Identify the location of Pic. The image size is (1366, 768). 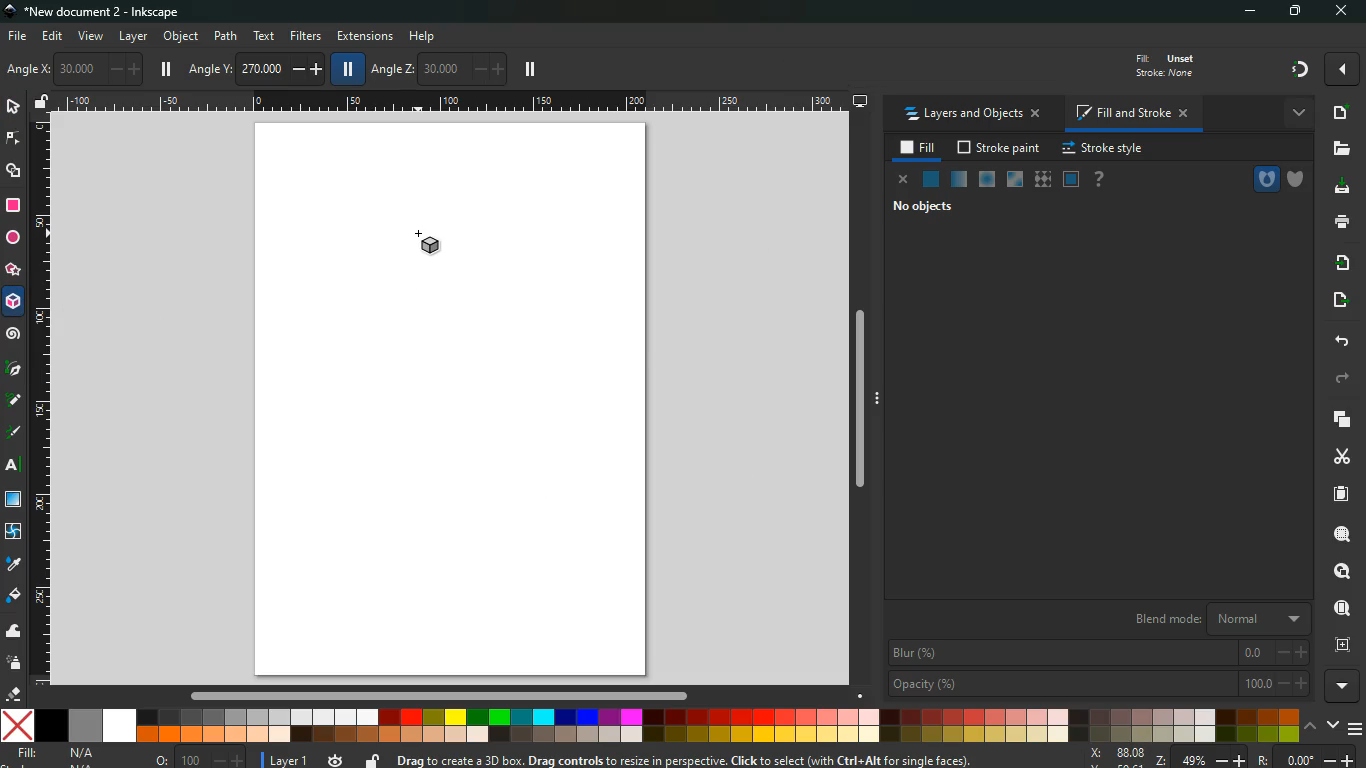
(14, 366).